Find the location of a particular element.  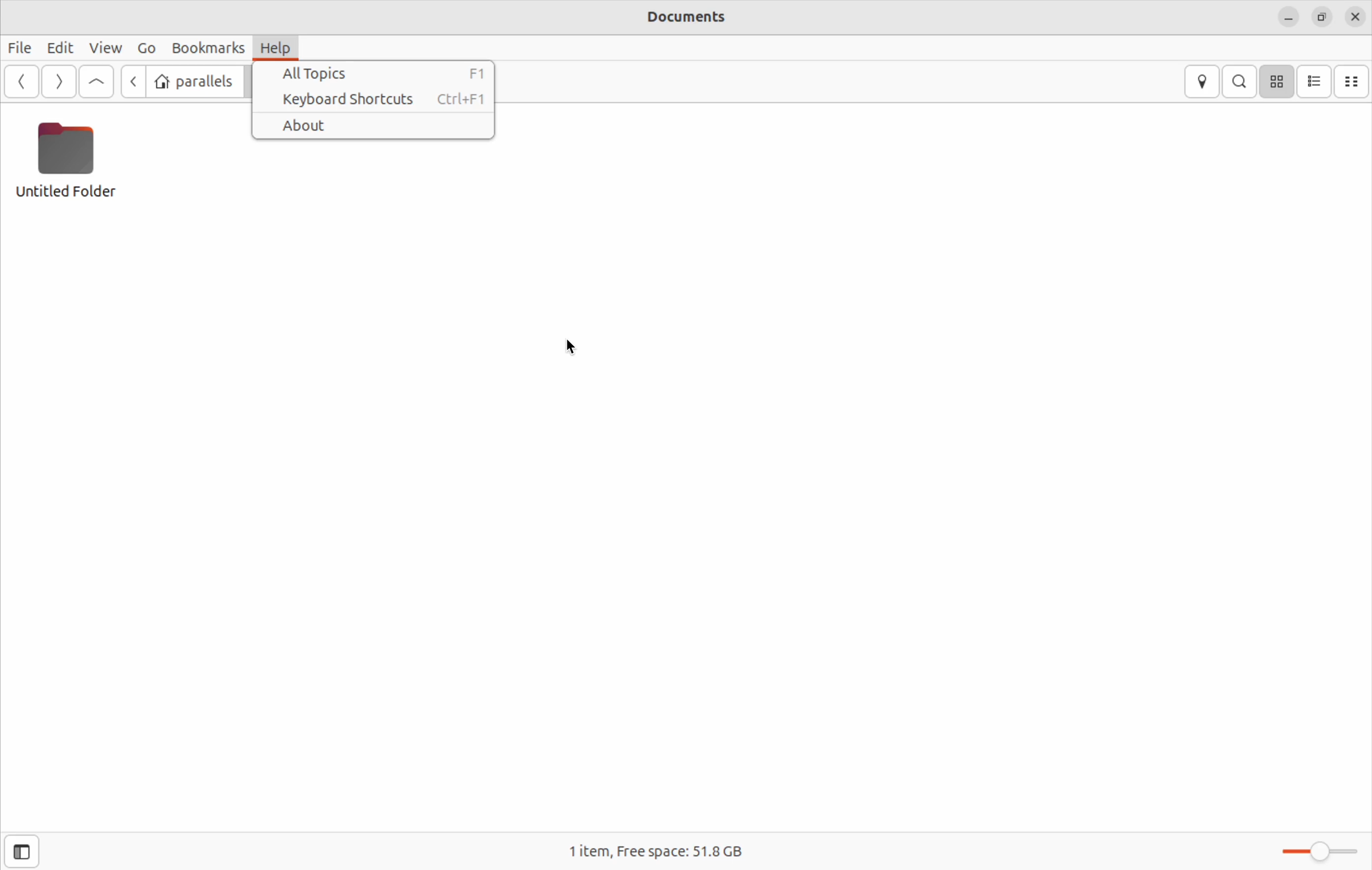

searchbar is located at coordinates (1240, 80).